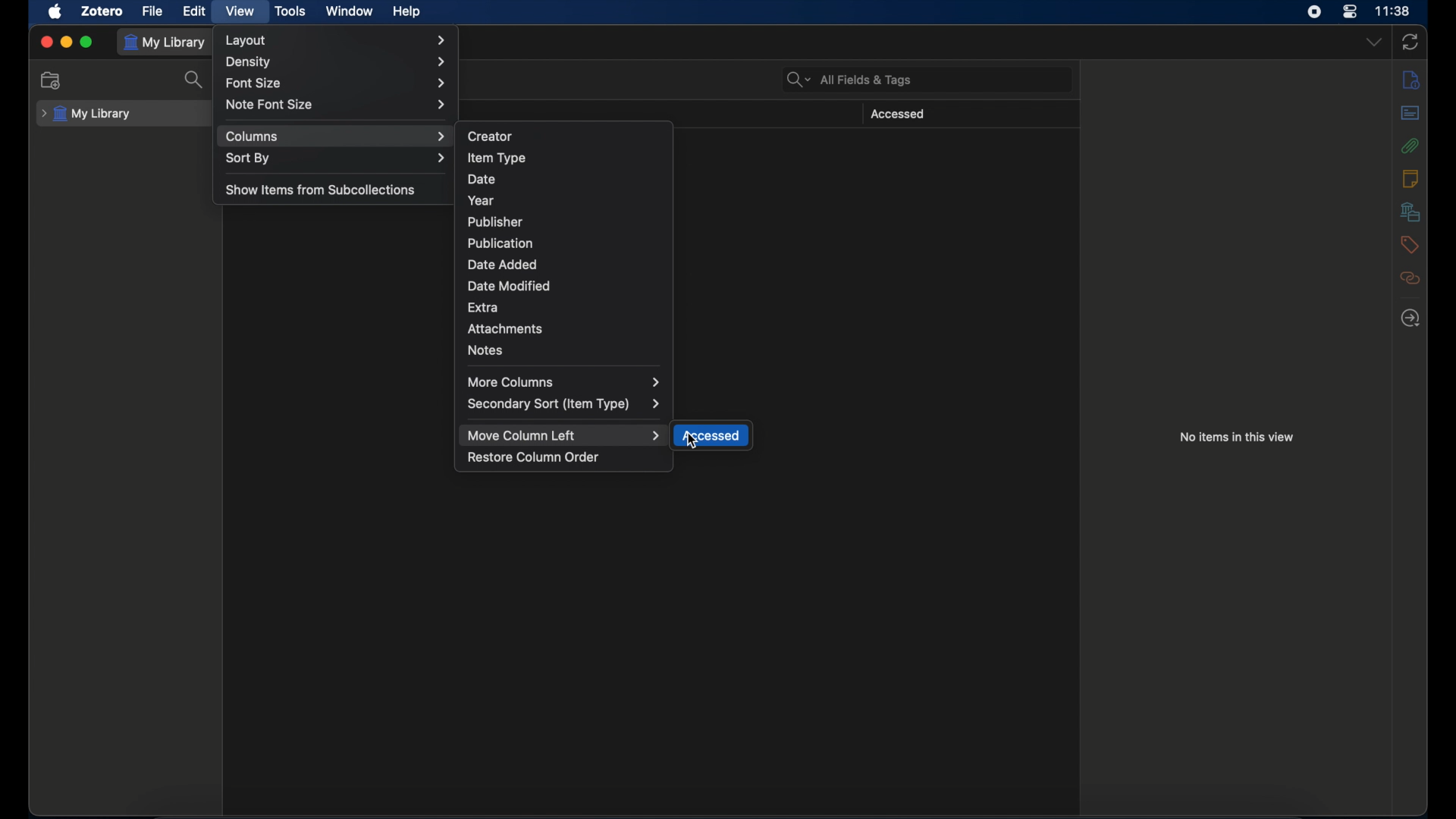  Describe the element at coordinates (46, 42) in the screenshot. I see `close` at that location.